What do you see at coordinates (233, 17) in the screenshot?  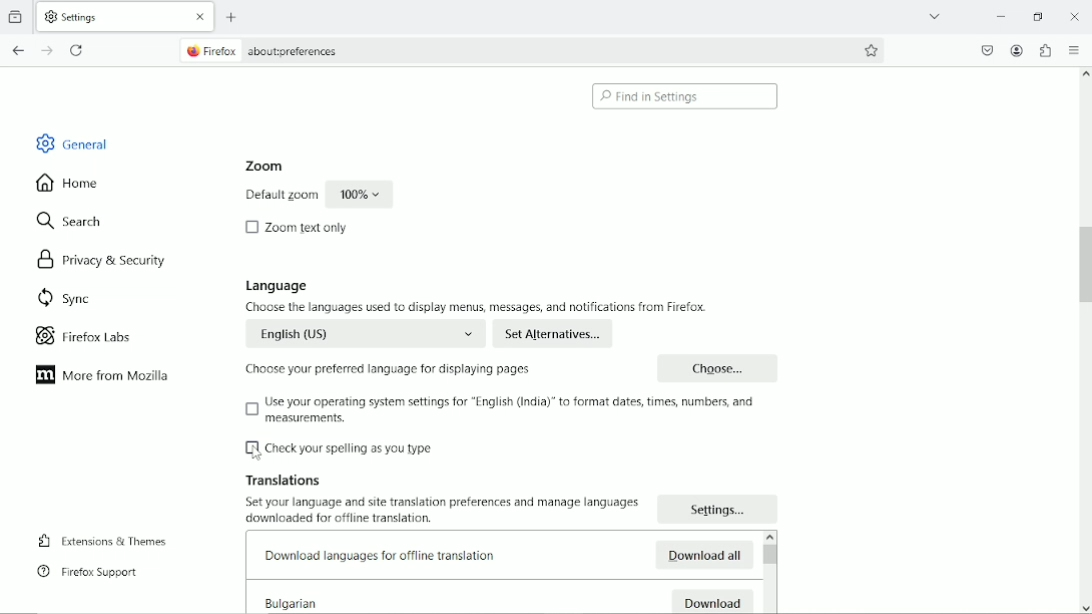 I see `New tab` at bounding box center [233, 17].